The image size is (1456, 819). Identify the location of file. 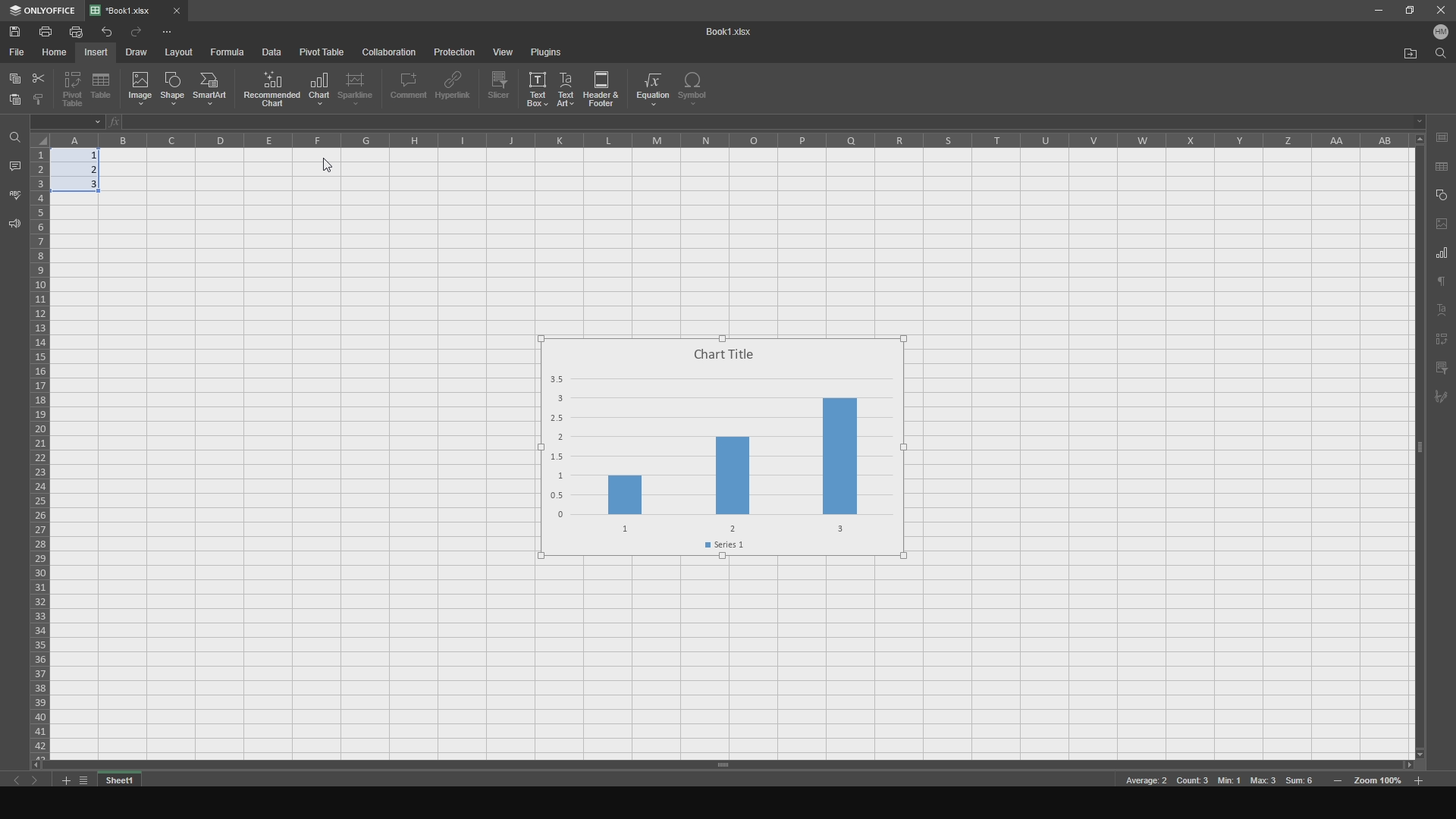
(18, 52).